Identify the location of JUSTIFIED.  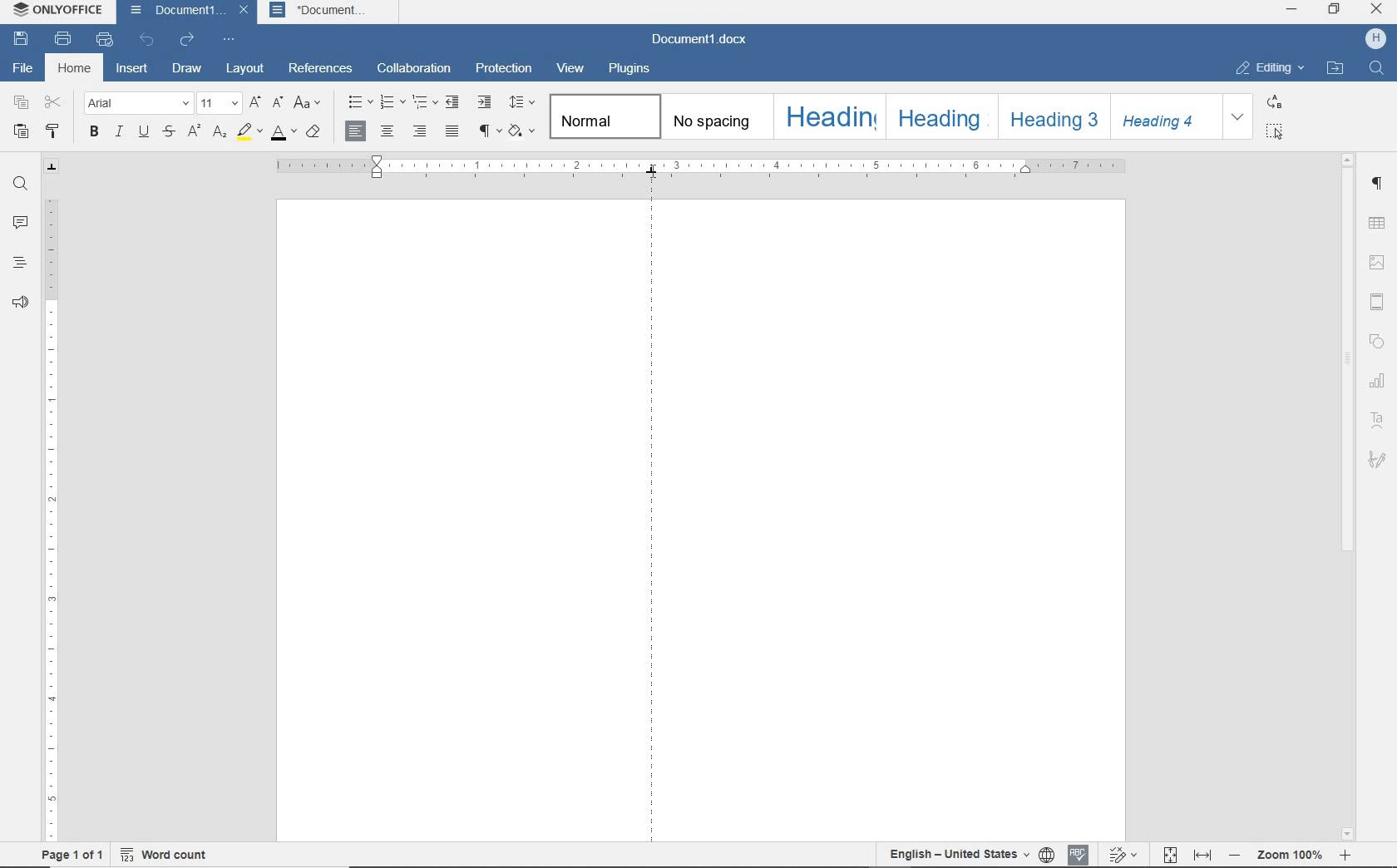
(453, 133).